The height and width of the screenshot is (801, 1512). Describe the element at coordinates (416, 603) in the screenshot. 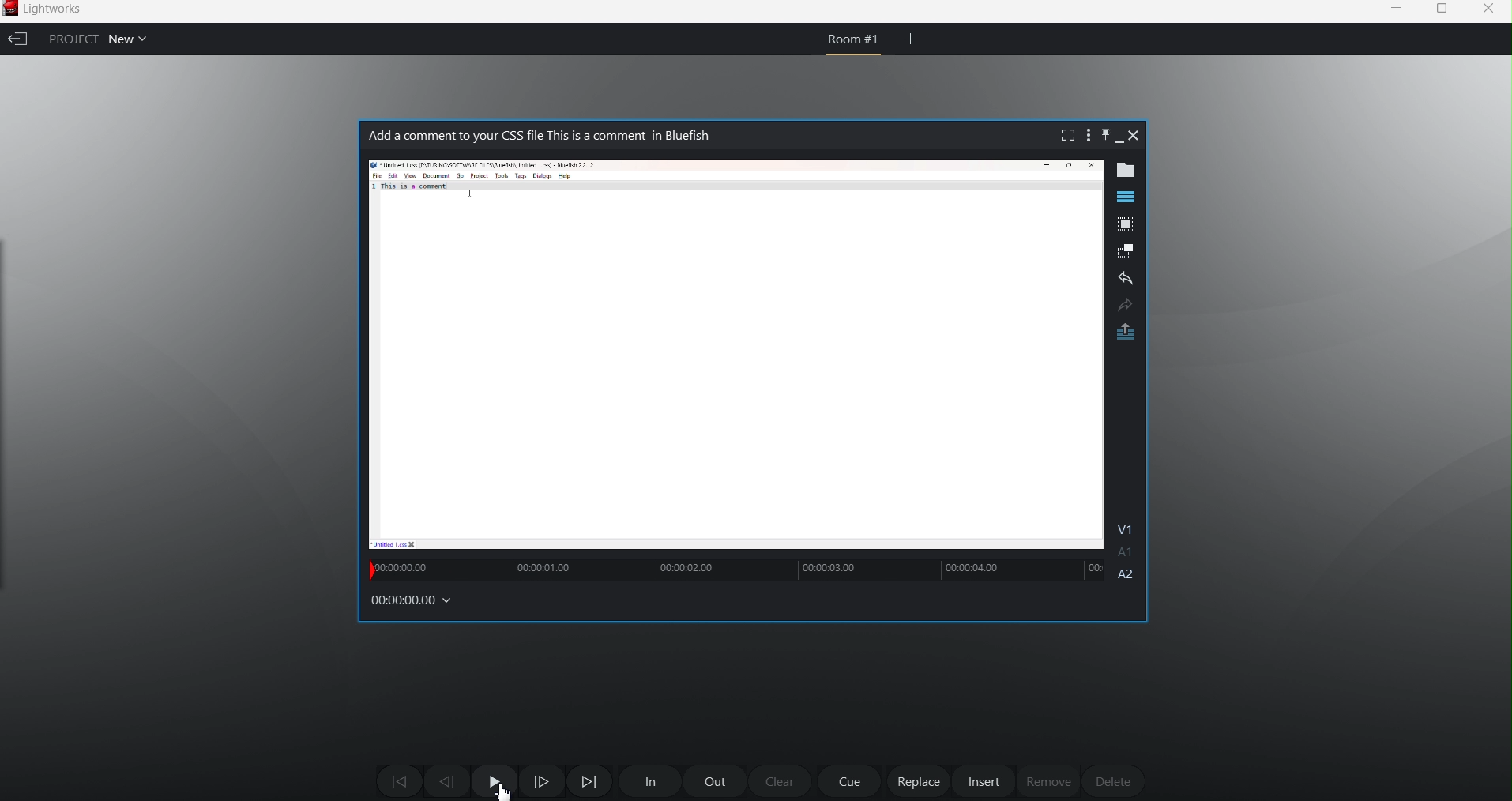

I see `00:00:00:00(clip time)` at that location.